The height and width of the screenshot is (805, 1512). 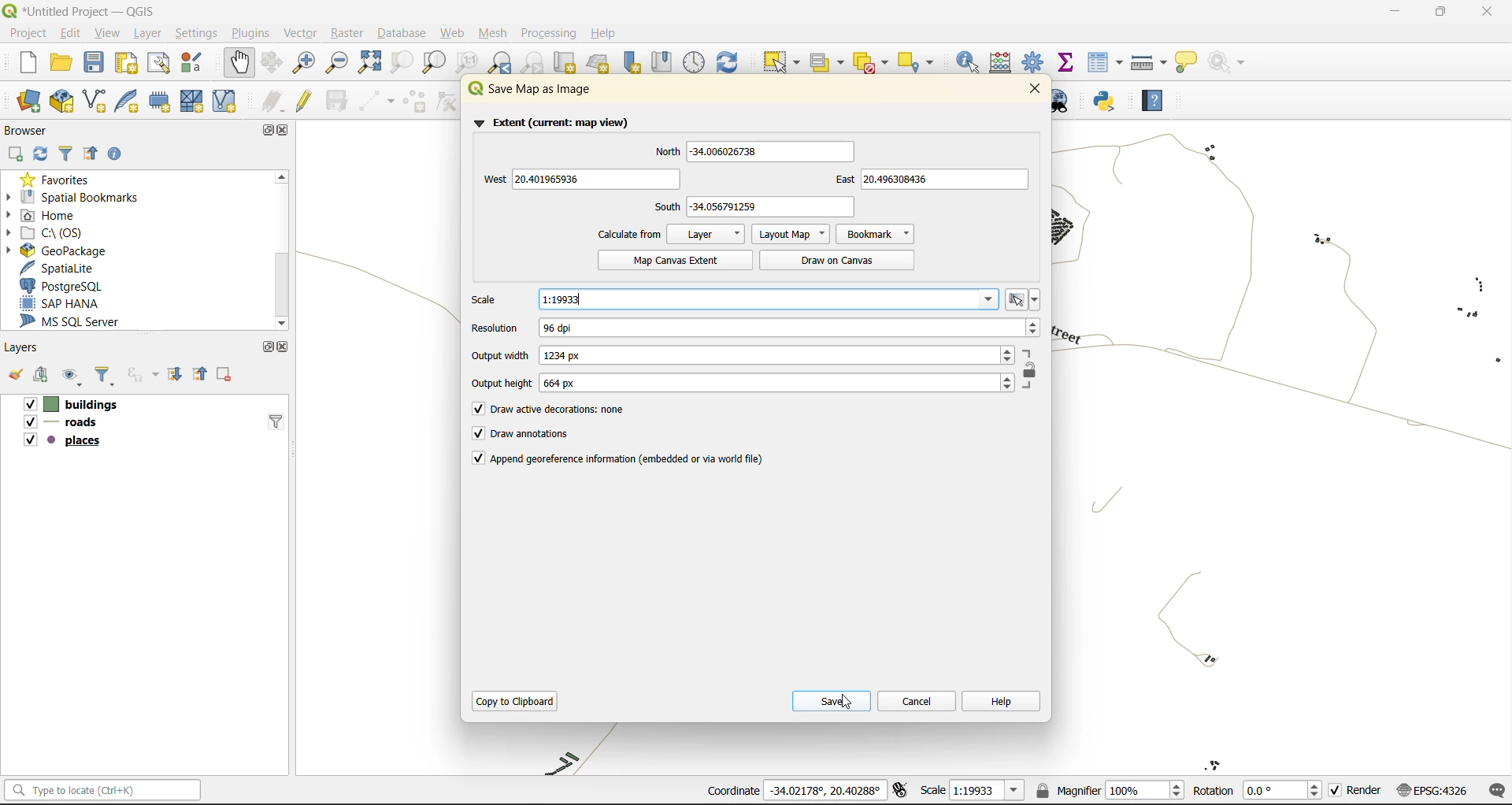 I want to click on show spatial bookmark, so click(x=665, y=64).